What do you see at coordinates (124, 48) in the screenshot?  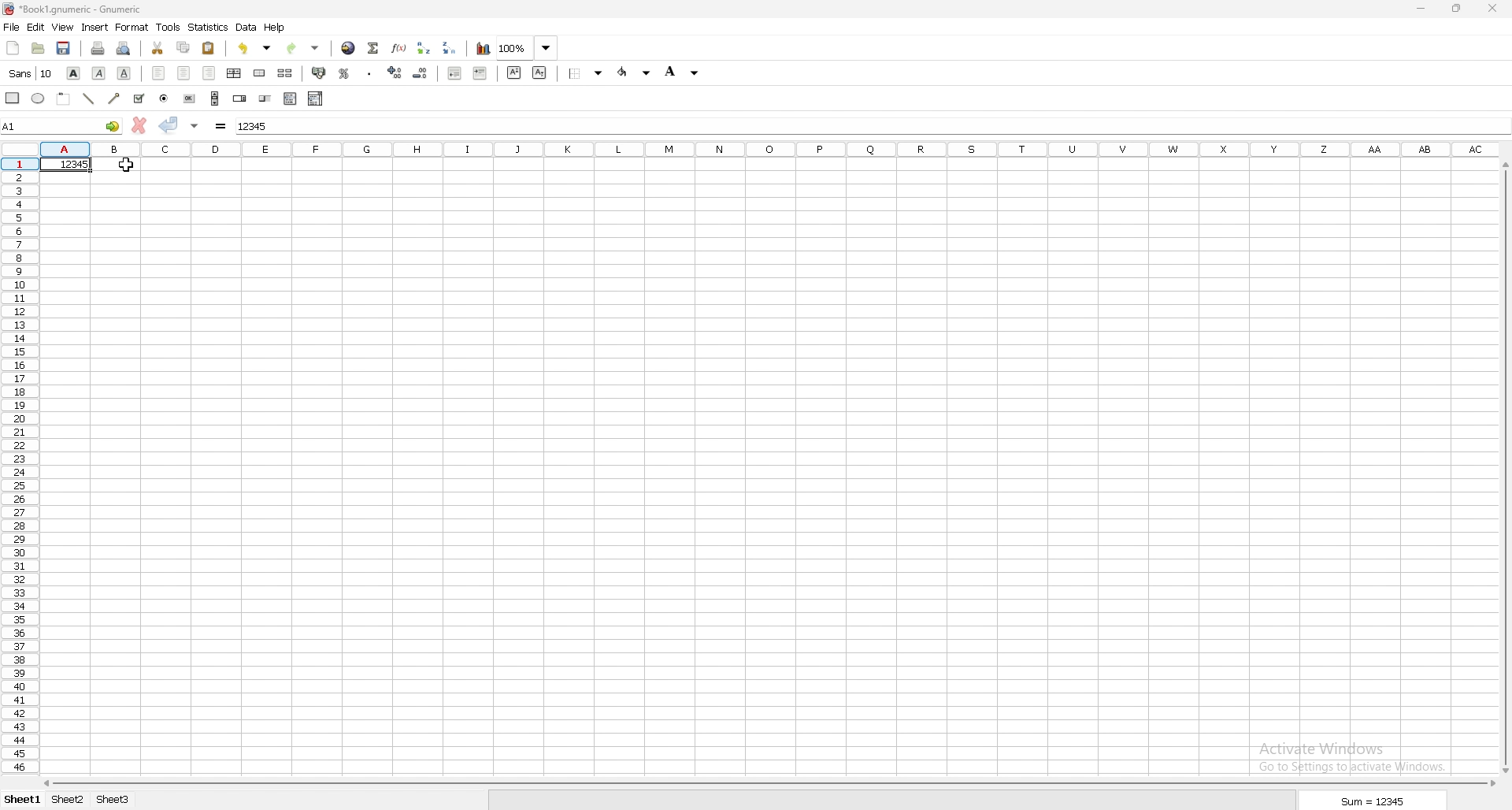 I see `print preview` at bounding box center [124, 48].